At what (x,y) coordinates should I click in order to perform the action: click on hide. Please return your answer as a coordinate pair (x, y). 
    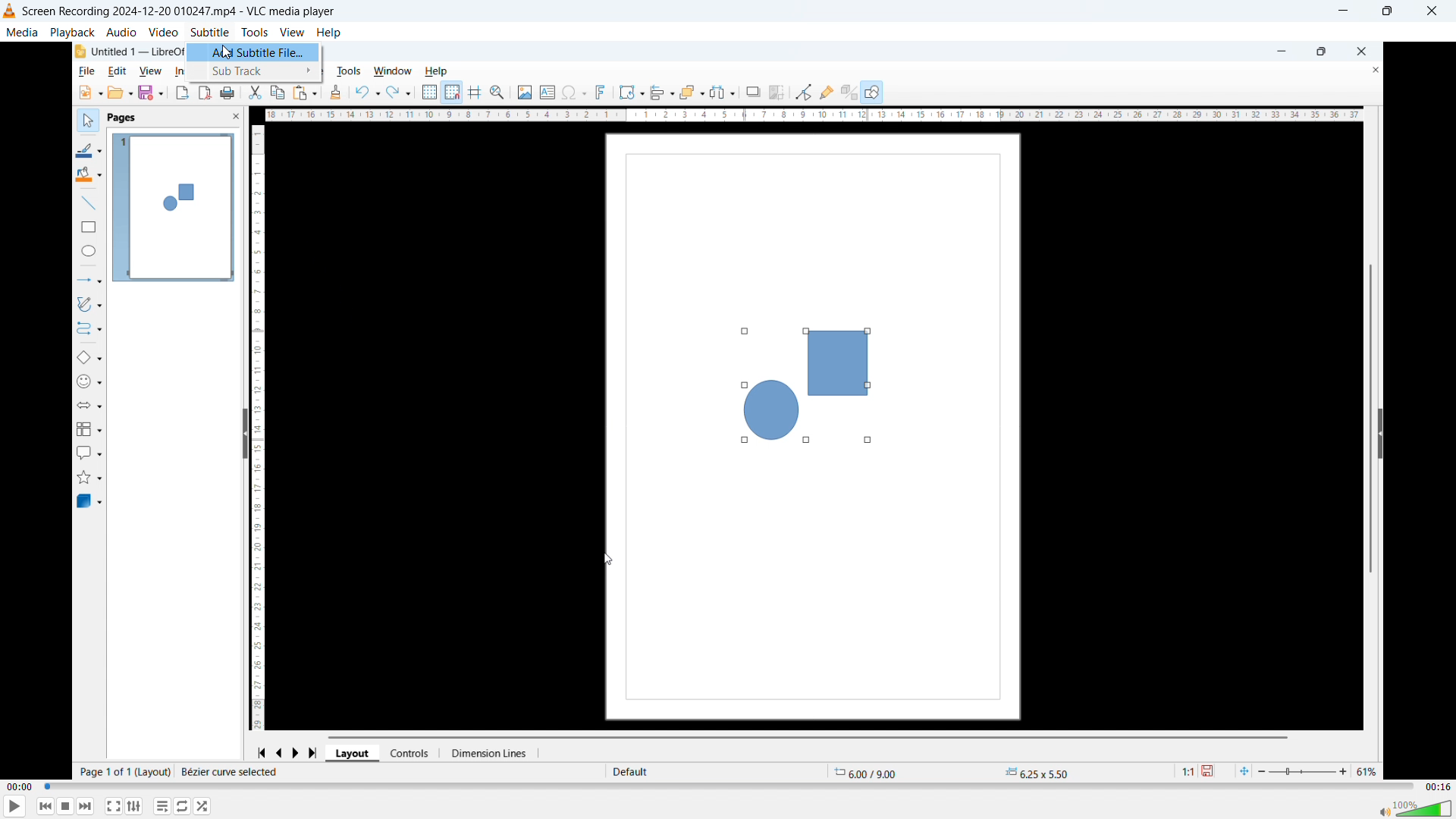
    Looking at the image, I should click on (1380, 433).